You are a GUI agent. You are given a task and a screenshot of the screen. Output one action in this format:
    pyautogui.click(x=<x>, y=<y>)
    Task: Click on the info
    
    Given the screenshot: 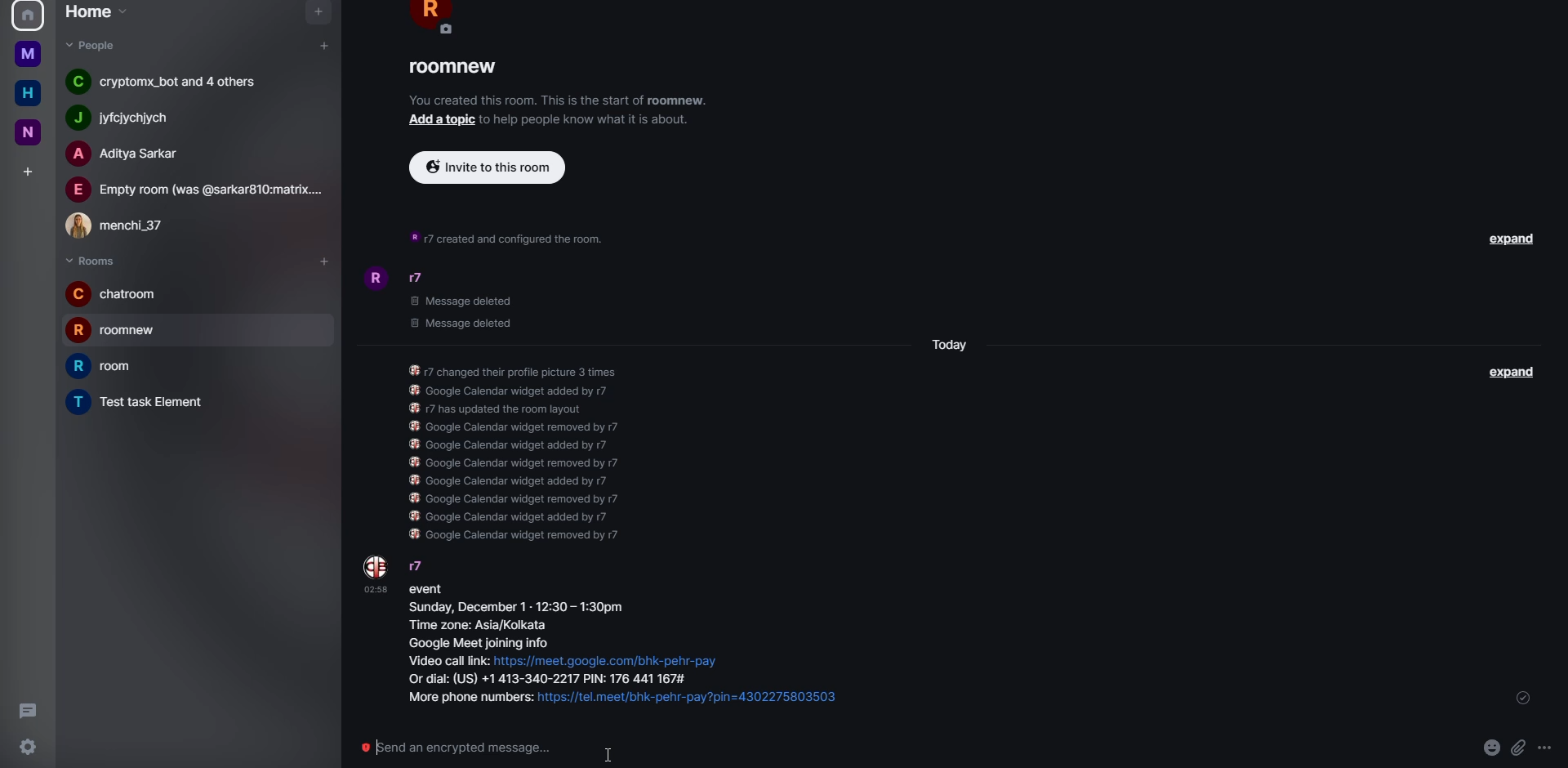 What is the action you would take?
    pyautogui.click(x=590, y=118)
    